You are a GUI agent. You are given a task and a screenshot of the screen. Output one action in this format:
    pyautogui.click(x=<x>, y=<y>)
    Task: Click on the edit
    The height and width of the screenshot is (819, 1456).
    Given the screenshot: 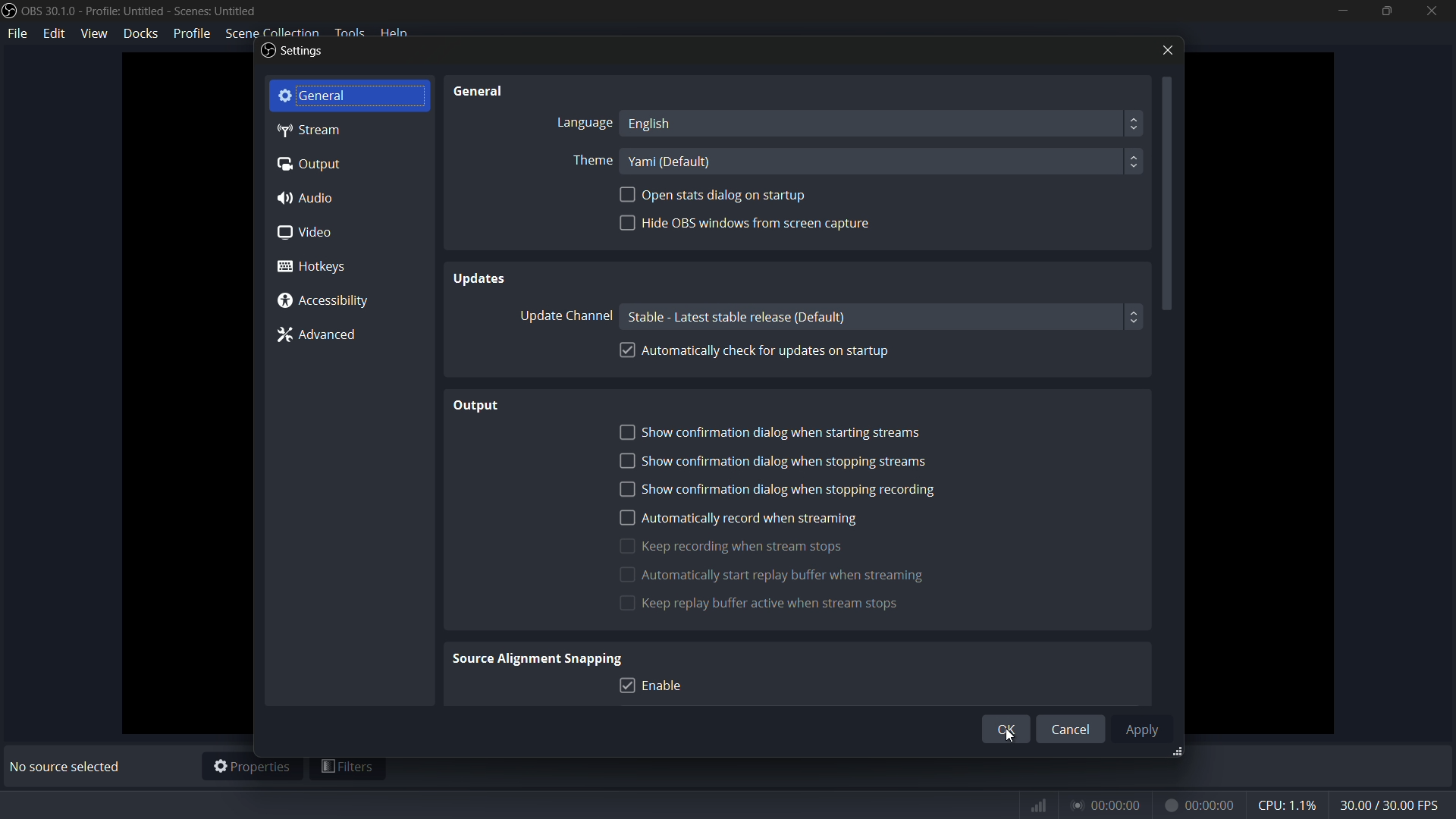 What is the action you would take?
    pyautogui.click(x=57, y=37)
    